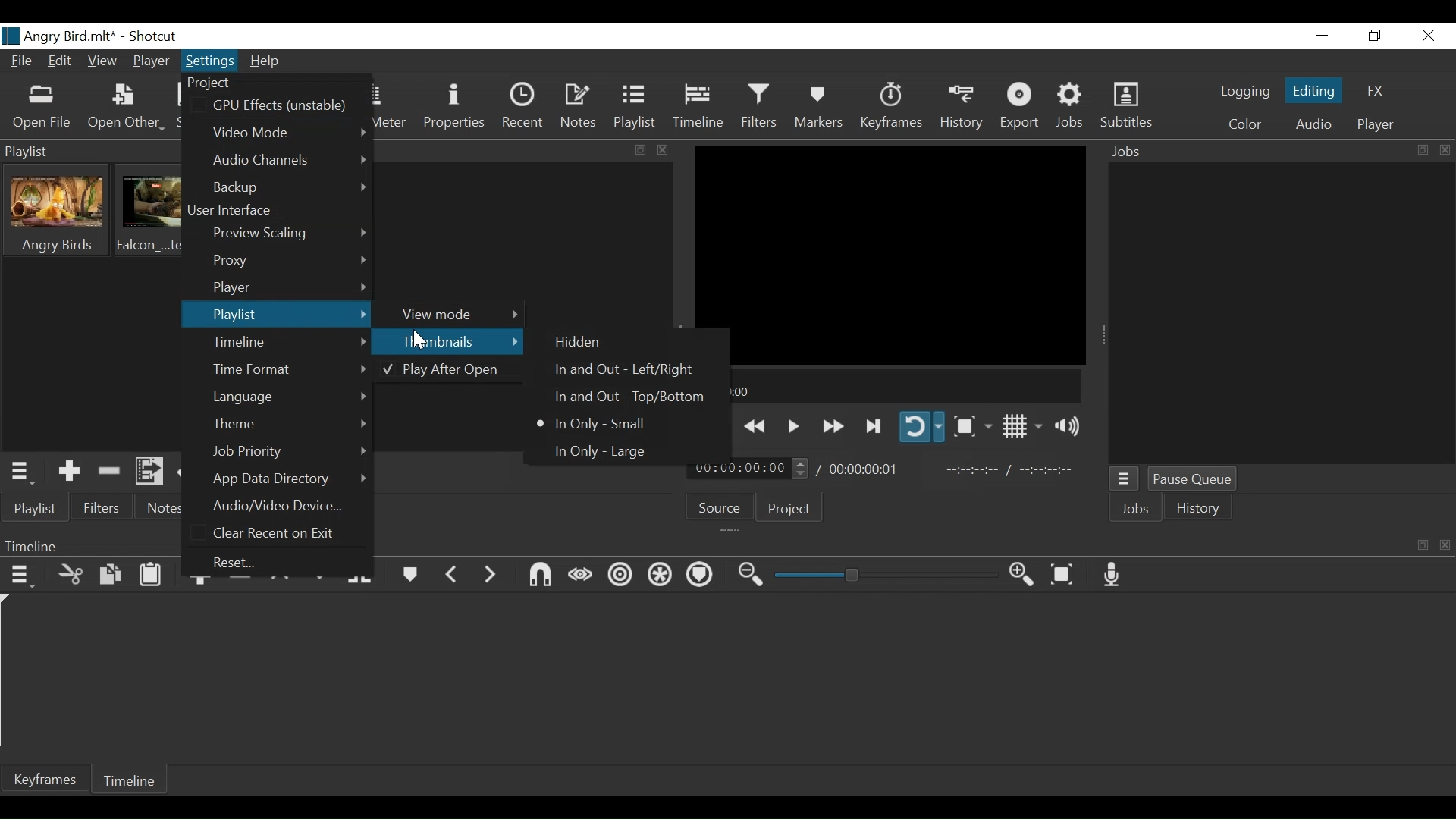 This screenshot has width=1456, height=819. Describe the element at coordinates (239, 212) in the screenshot. I see `User Interface` at that location.